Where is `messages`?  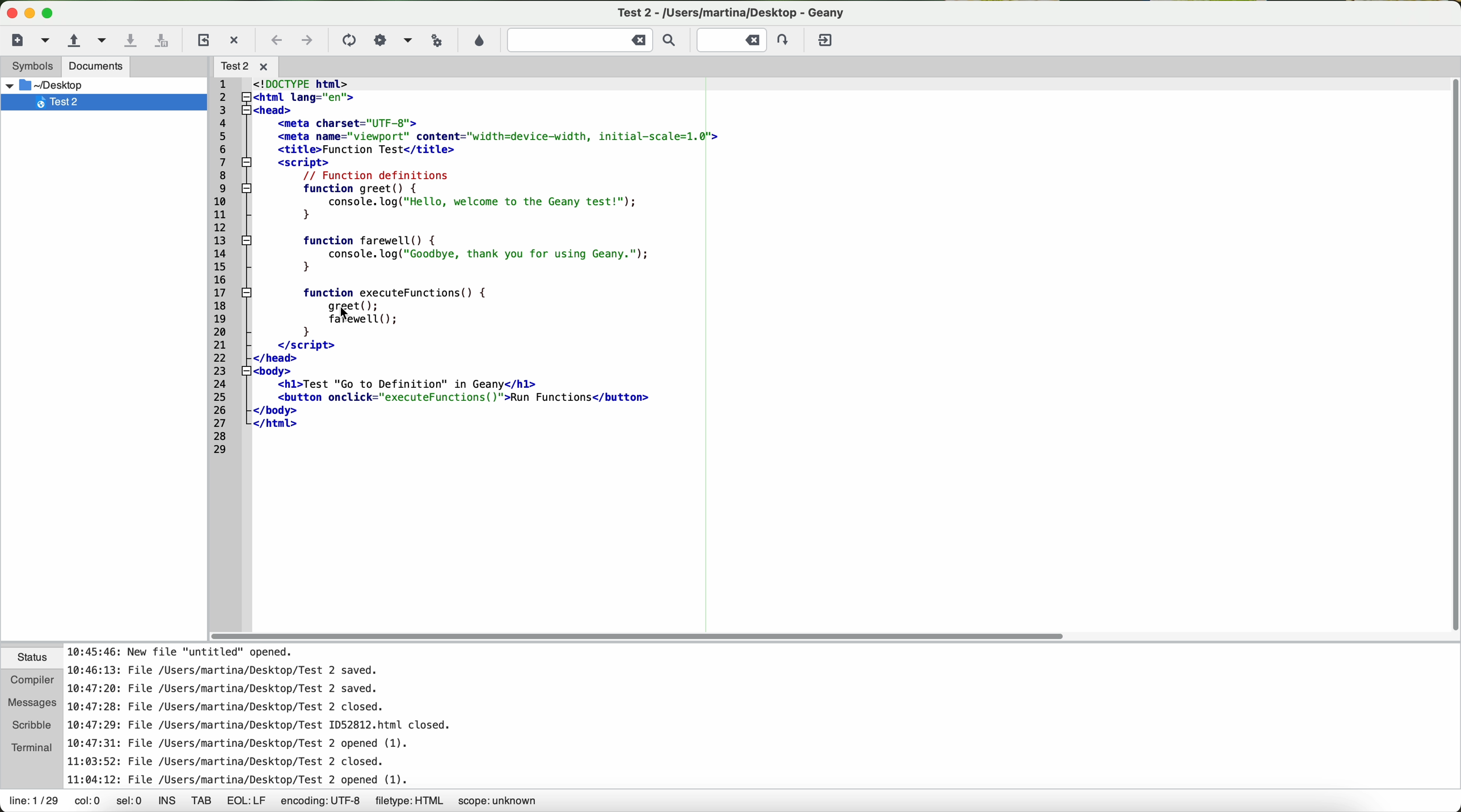
messages is located at coordinates (31, 702).